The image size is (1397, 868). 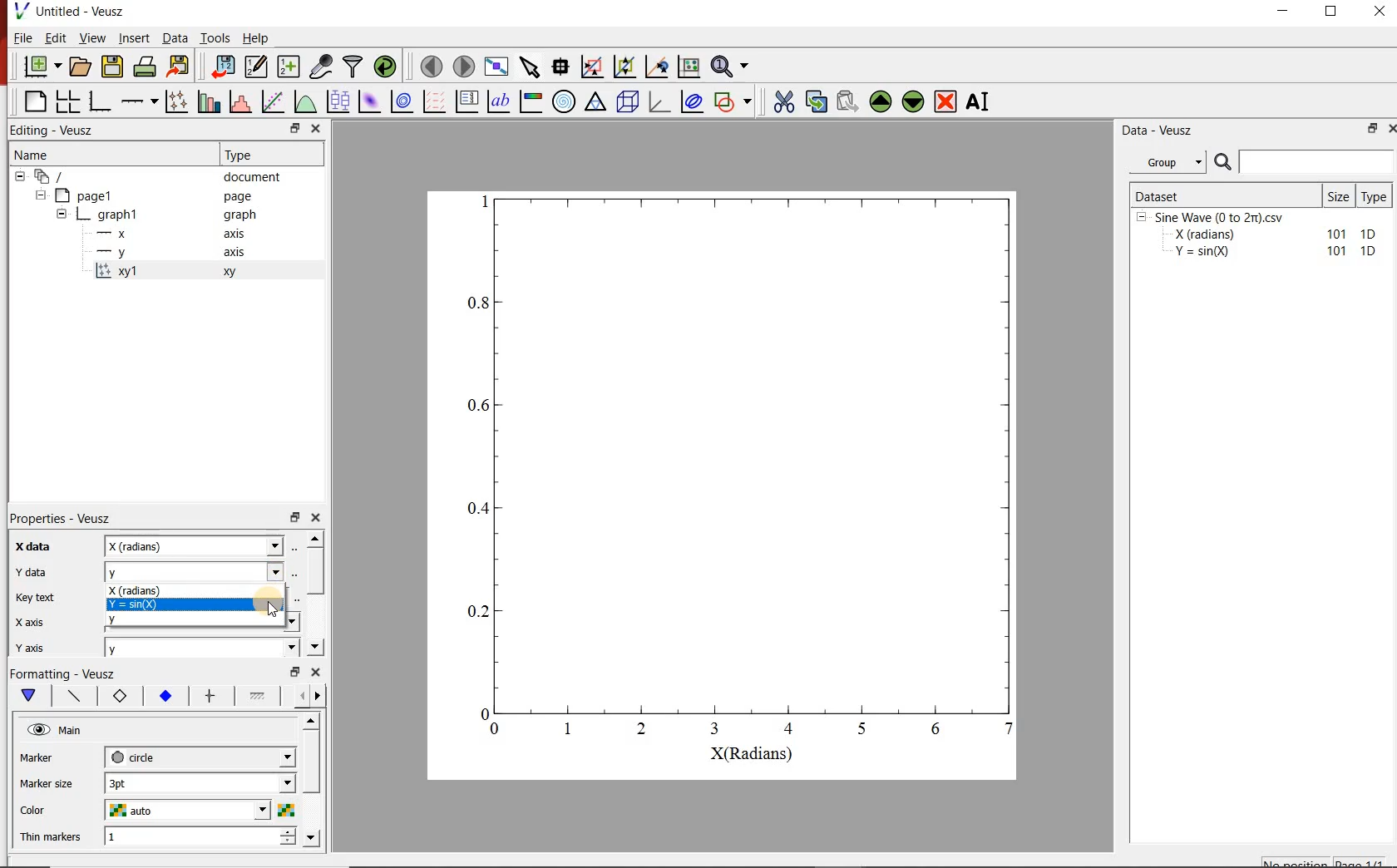 I want to click on click to recentre graph, so click(x=657, y=64).